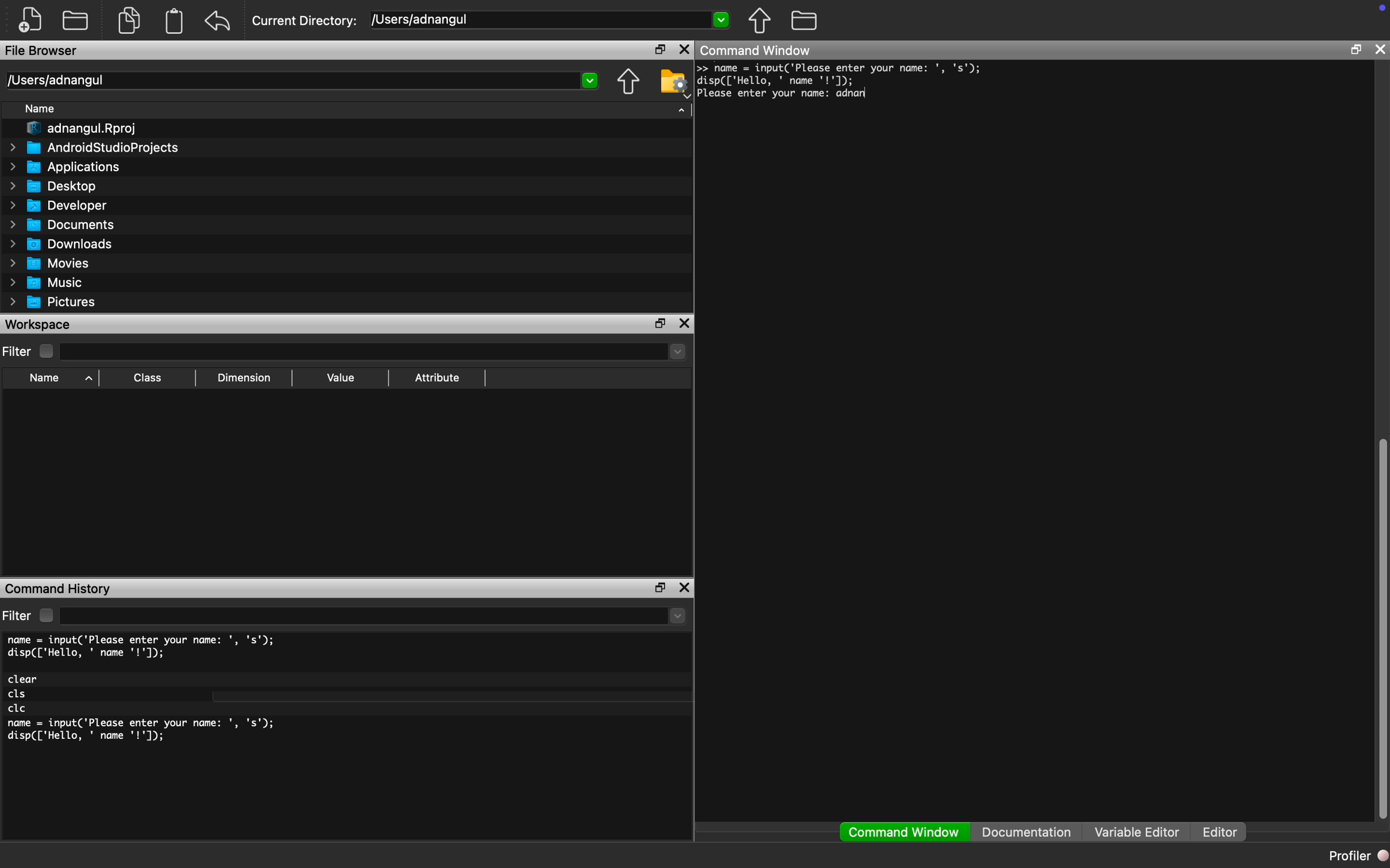 This screenshot has height=868, width=1390. What do you see at coordinates (437, 377) in the screenshot?
I see `Attribute` at bounding box center [437, 377].